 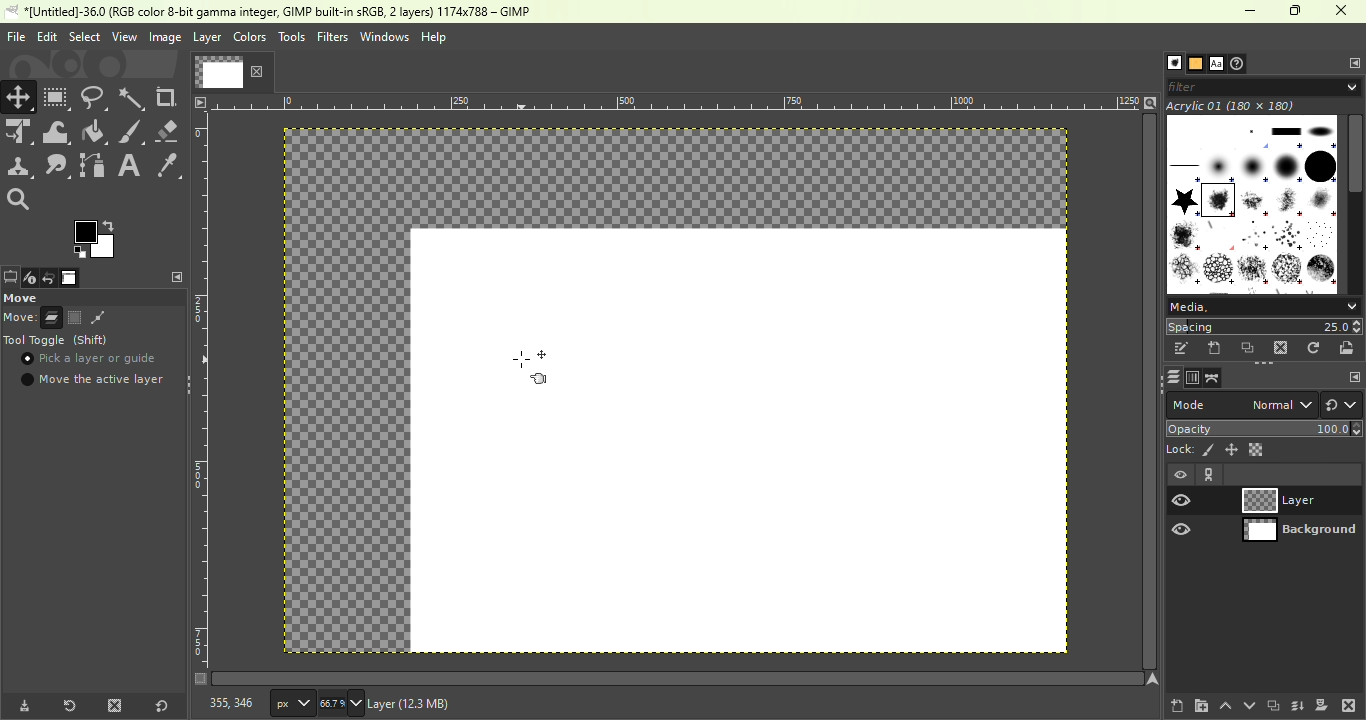 What do you see at coordinates (22, 707) in the screenshot?
I see `Save tool preset` at bounding box center [22, 707].